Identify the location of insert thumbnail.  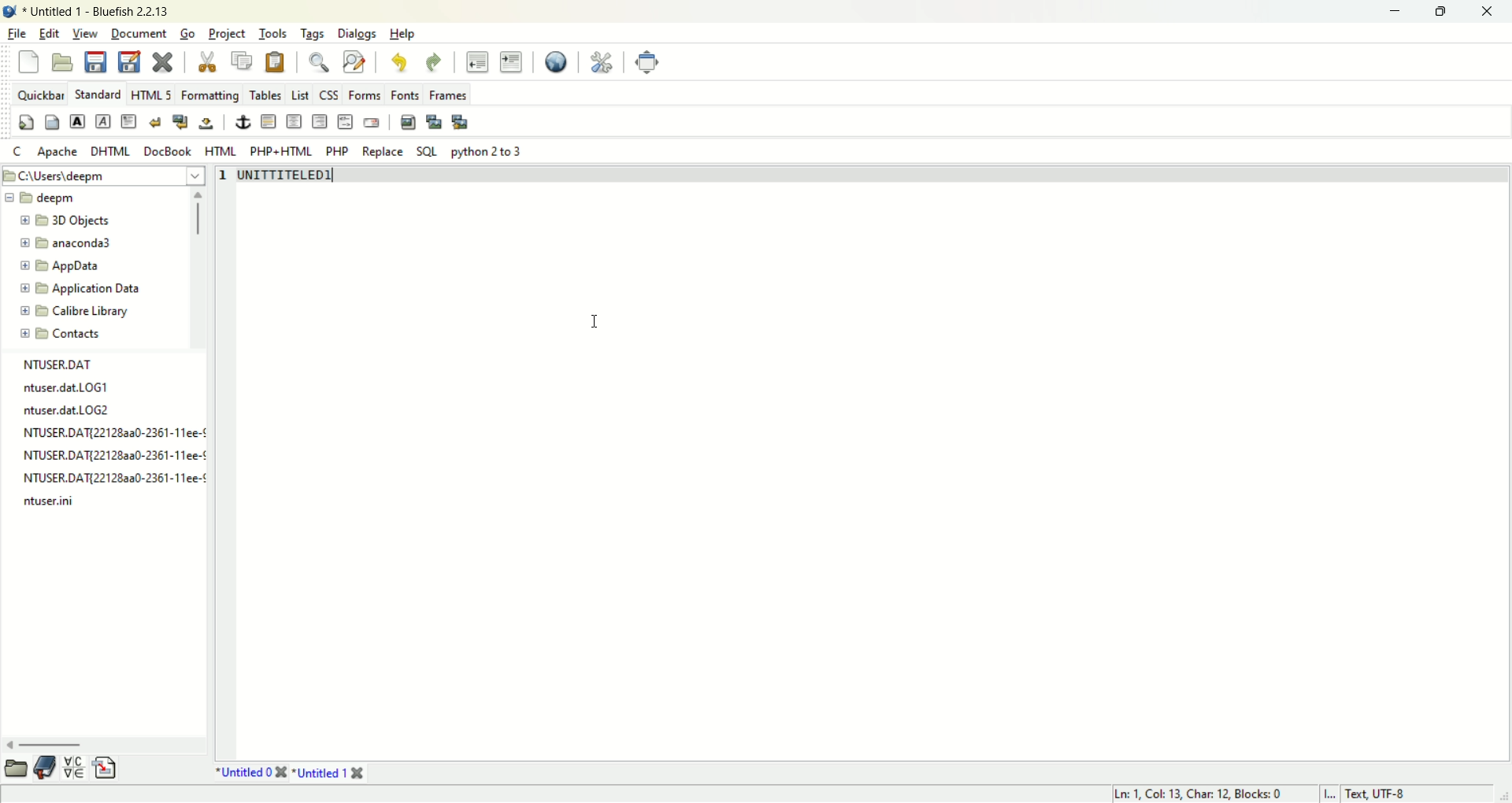
(435, 120).